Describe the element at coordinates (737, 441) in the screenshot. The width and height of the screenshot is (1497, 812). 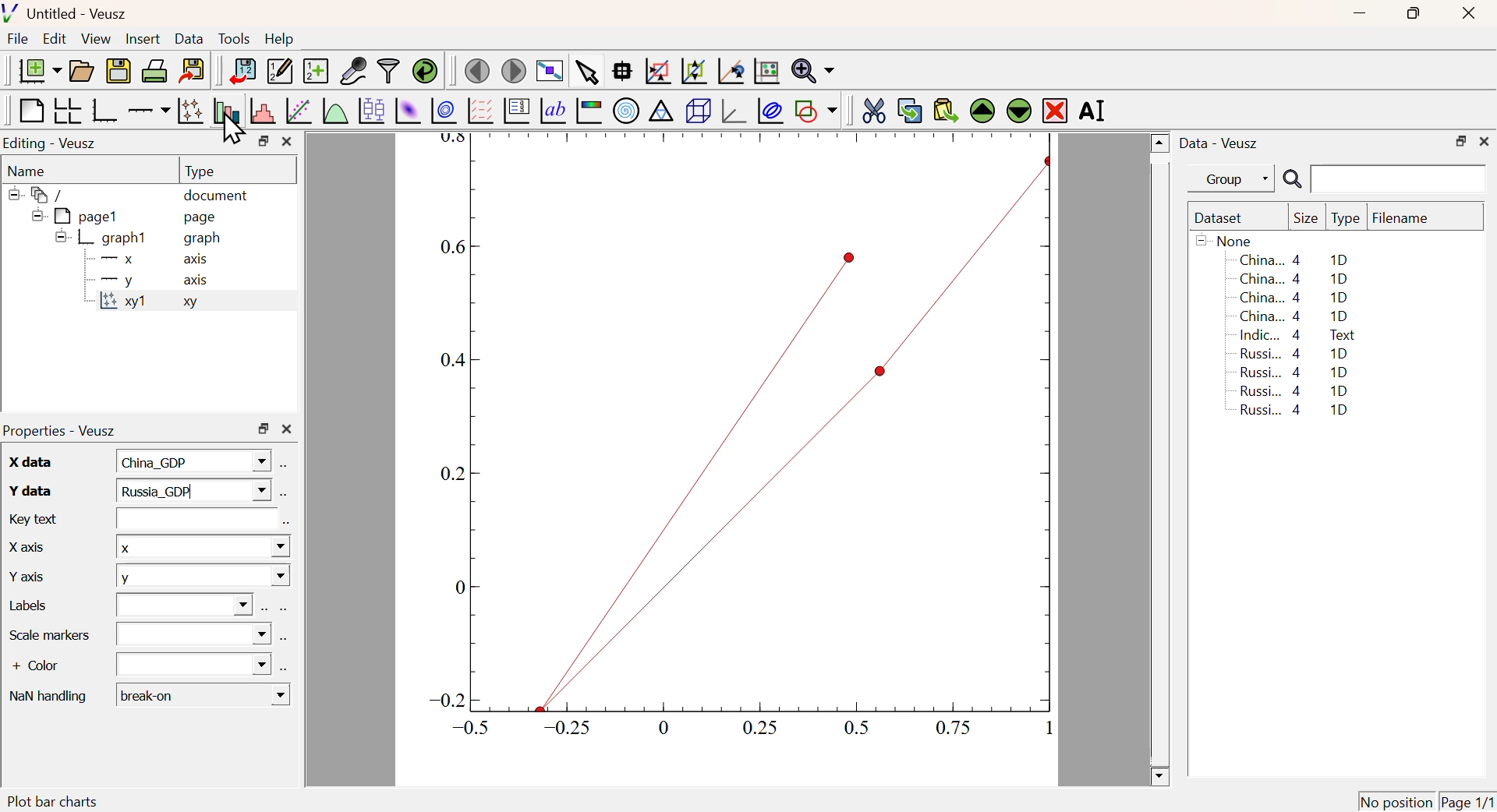
I see `Graph` at that location.